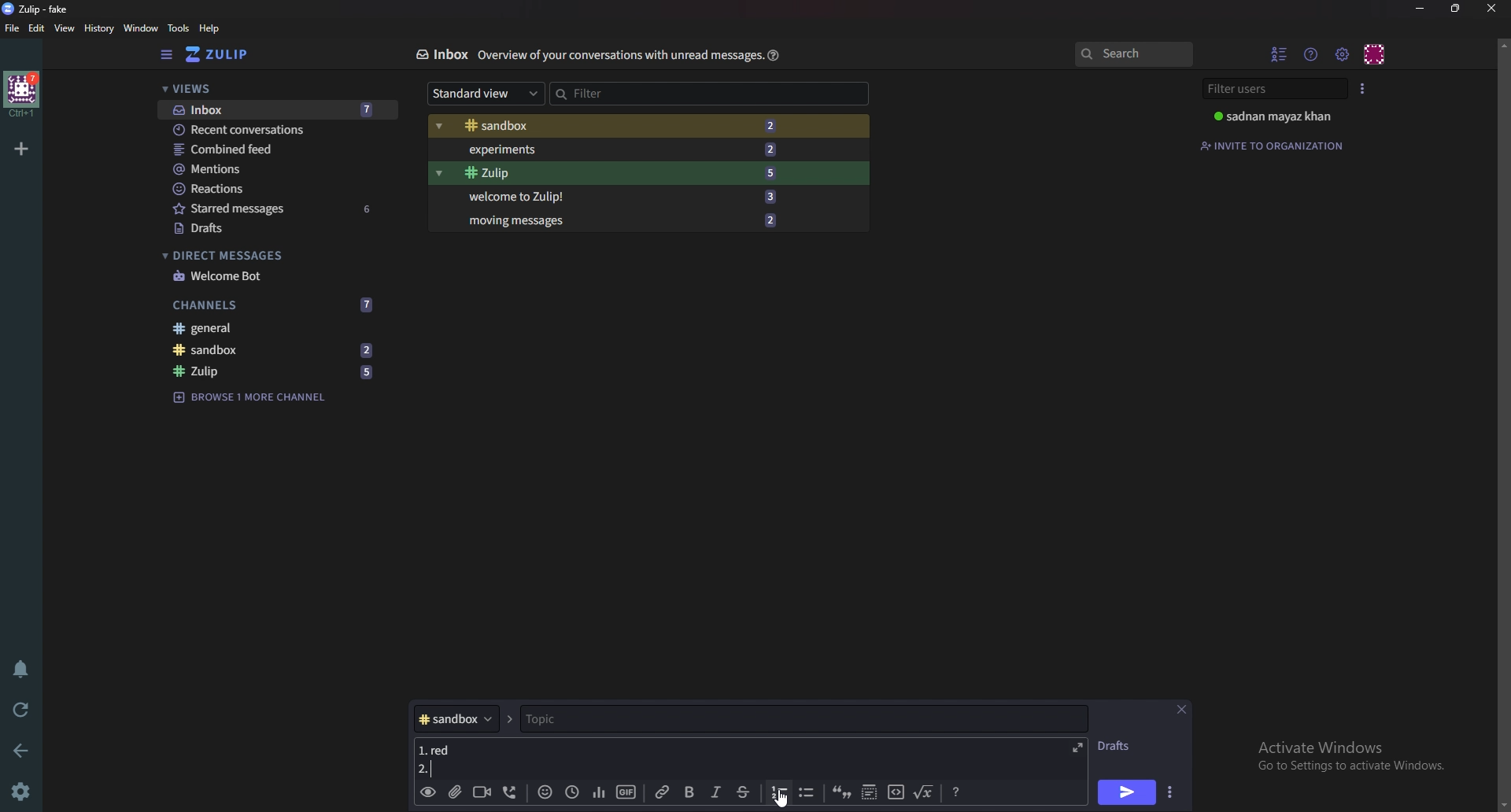  I want to click on Send options, so click(1169, 794).